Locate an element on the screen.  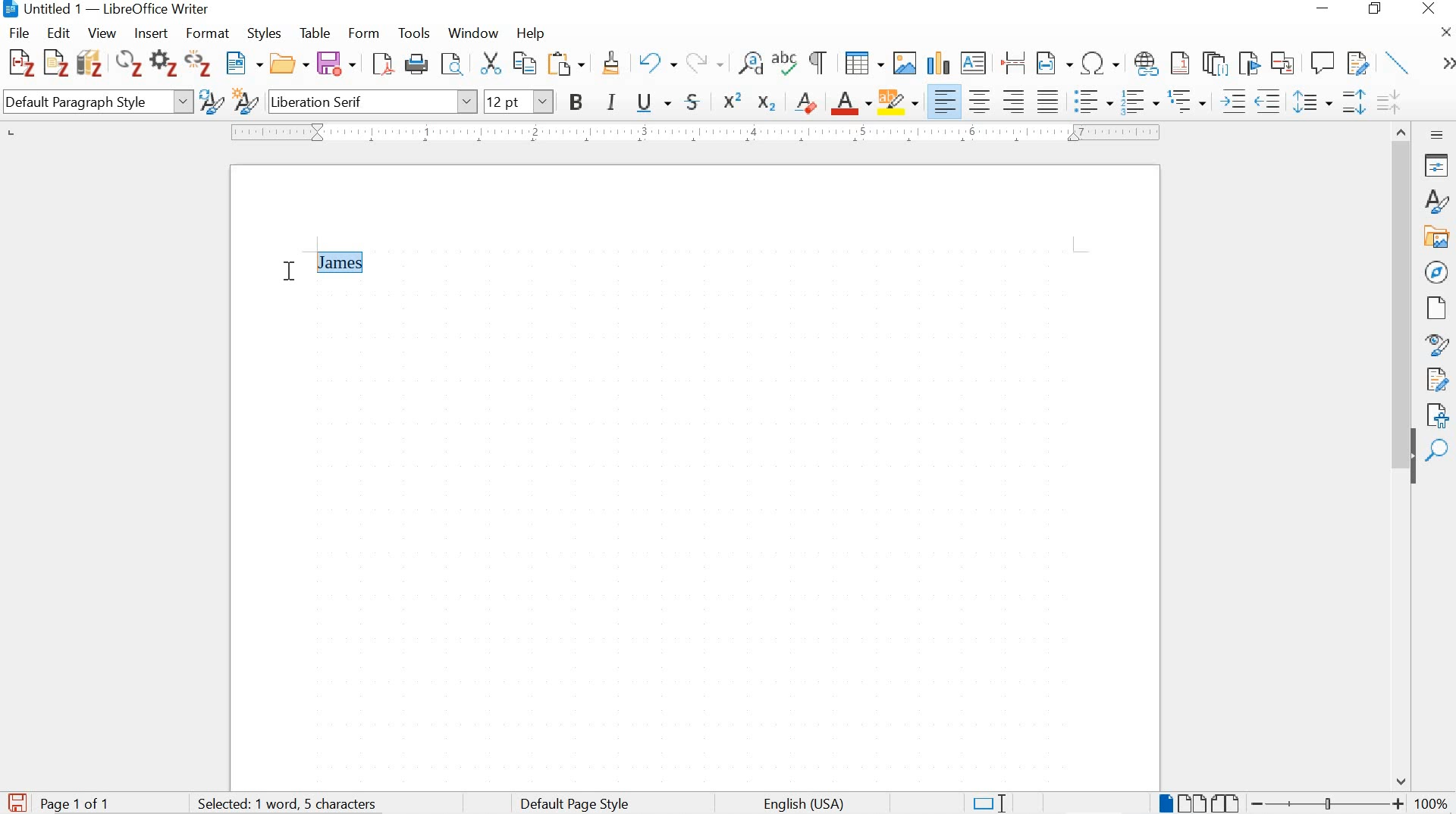
save is located at coordinates (336, 64).